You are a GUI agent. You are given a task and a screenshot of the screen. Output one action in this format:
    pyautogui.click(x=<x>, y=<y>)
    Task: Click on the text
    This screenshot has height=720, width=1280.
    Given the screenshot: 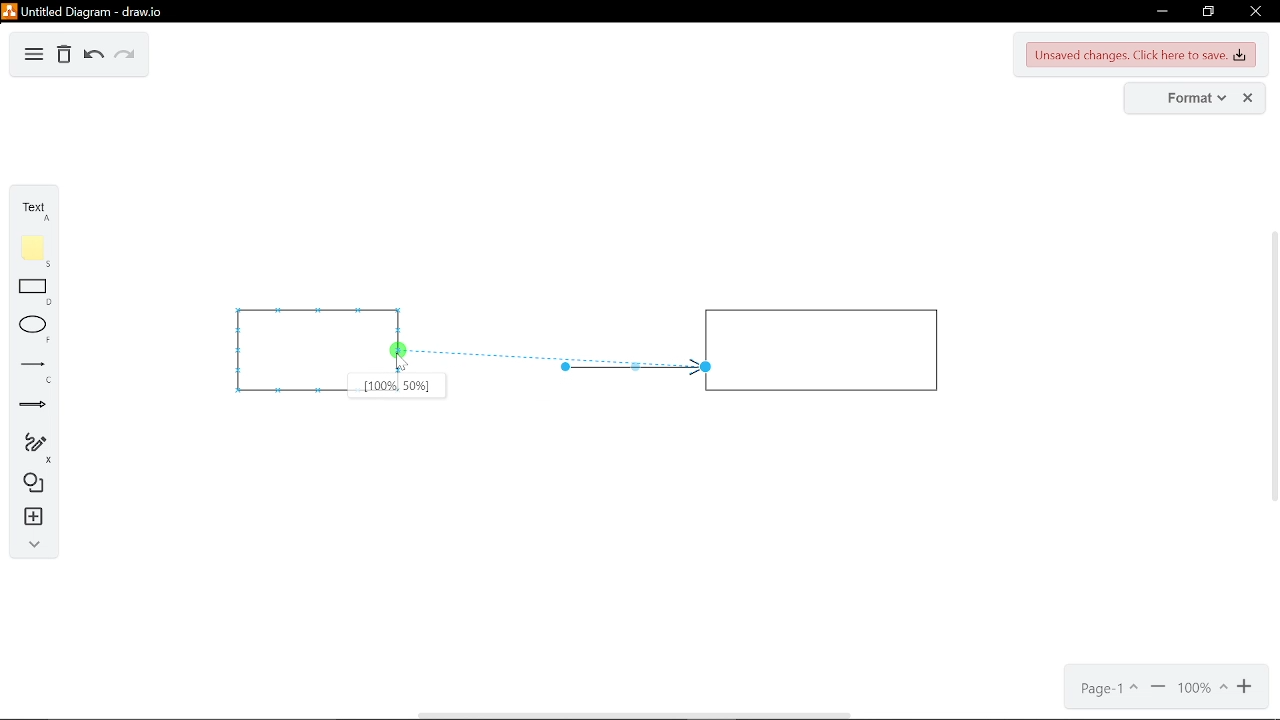 What is the action you would take?
    pyautogui.click(x=28, y=208)
    